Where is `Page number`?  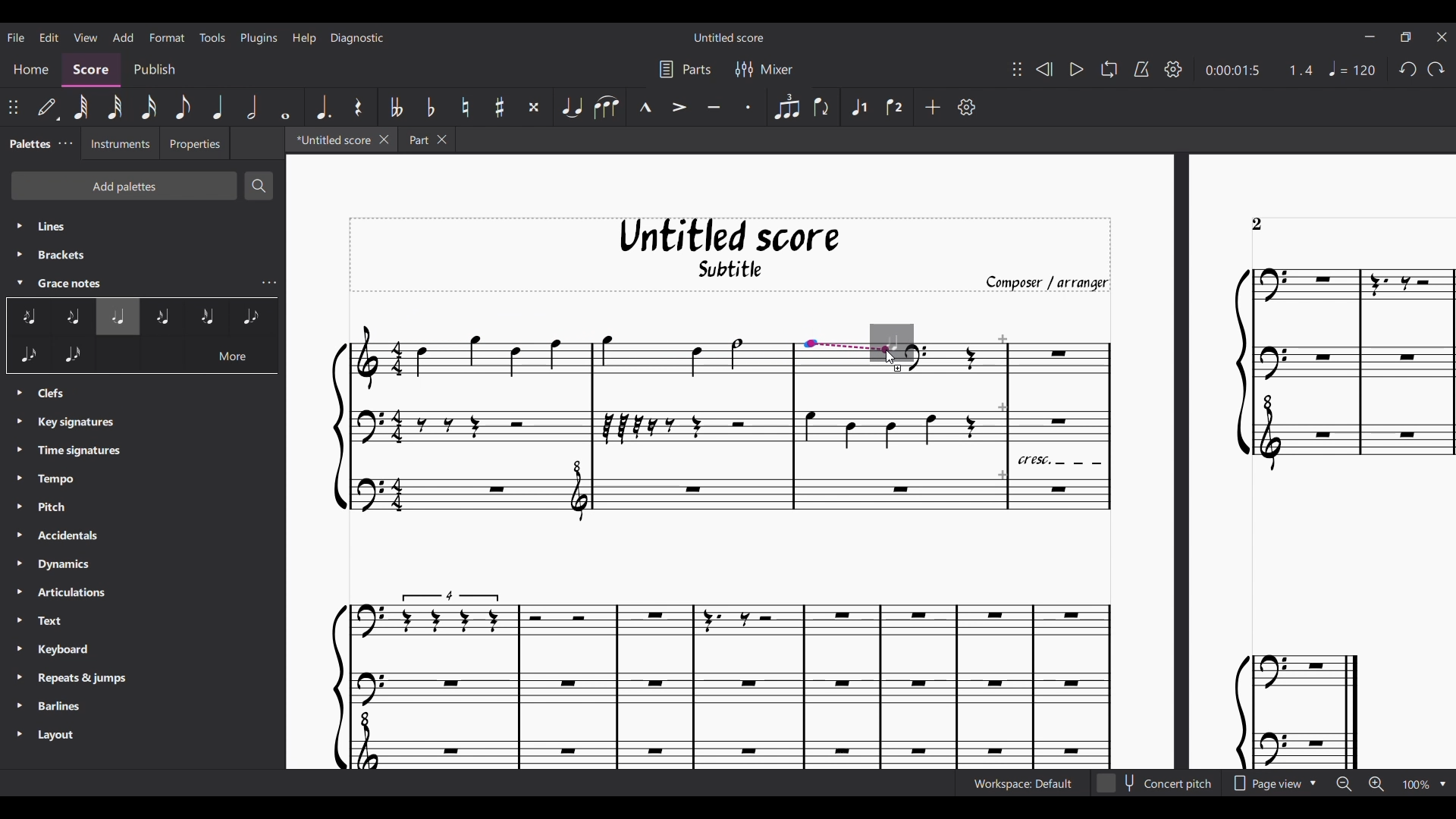 Page number is located at coordinates (1257, 224).